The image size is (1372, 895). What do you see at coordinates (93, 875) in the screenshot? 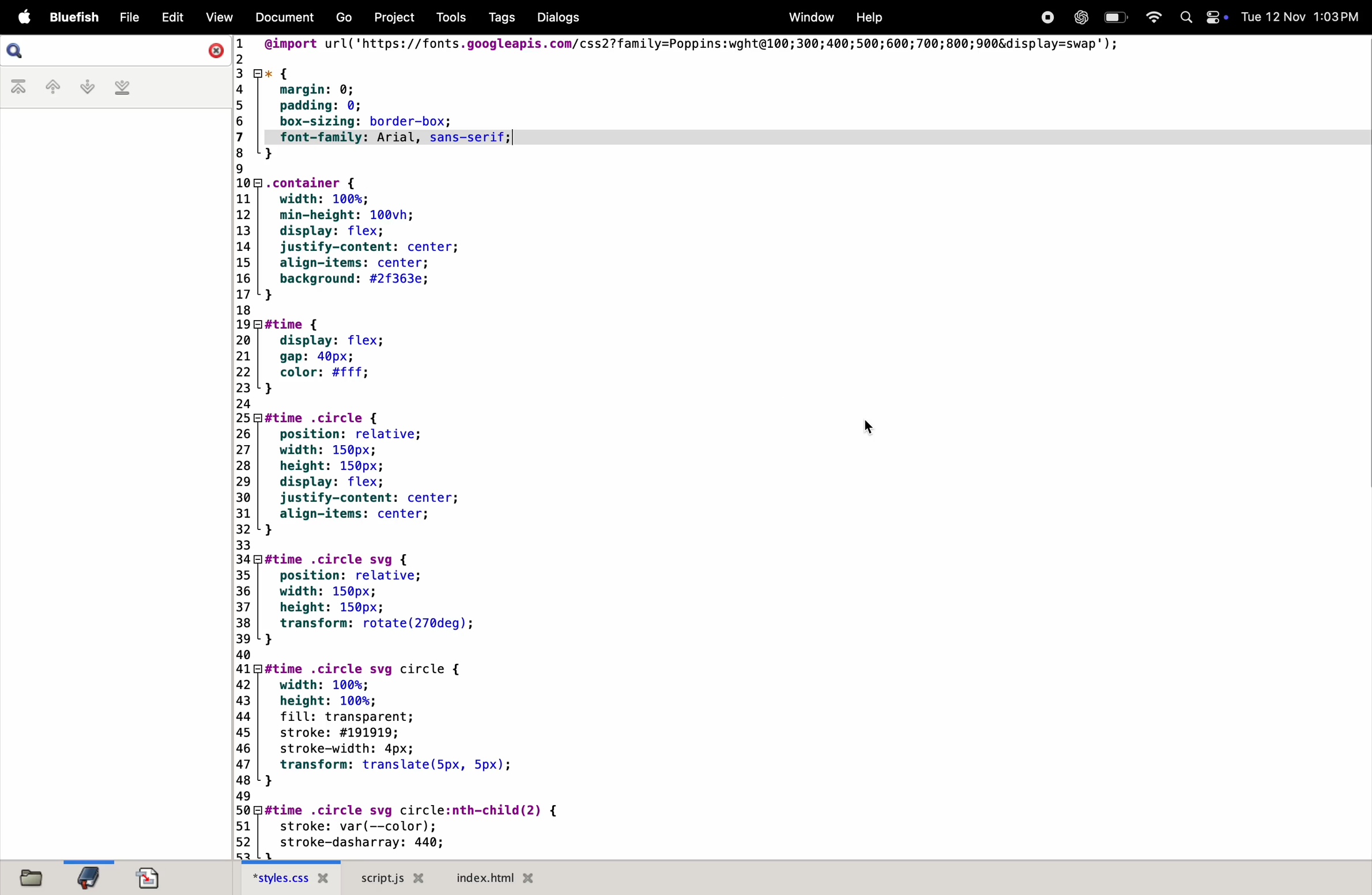
I see `bookmark` at bounding box center [93, 875].